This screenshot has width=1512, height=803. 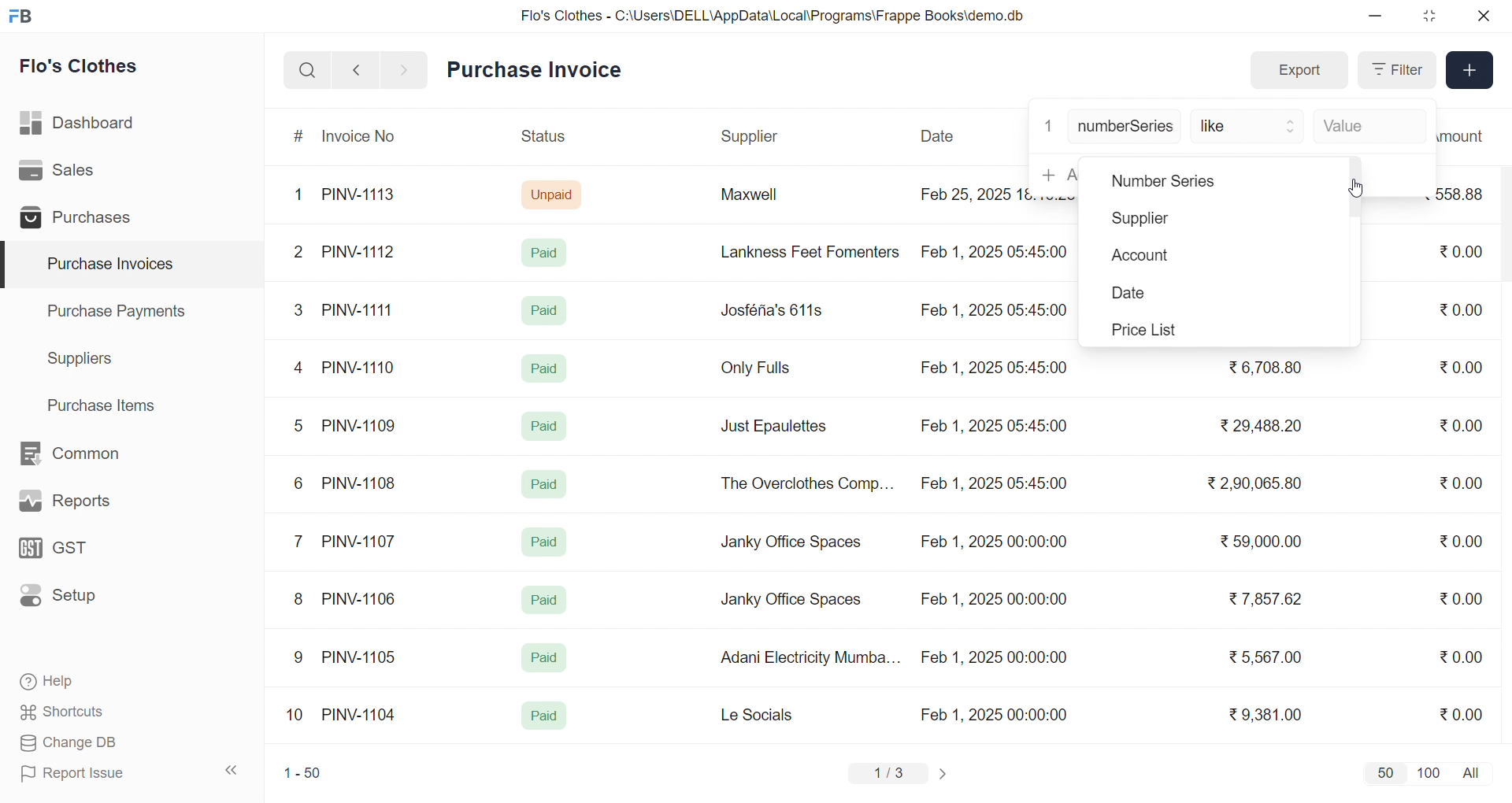 I want to click on 4, so click(x=302, y=368).